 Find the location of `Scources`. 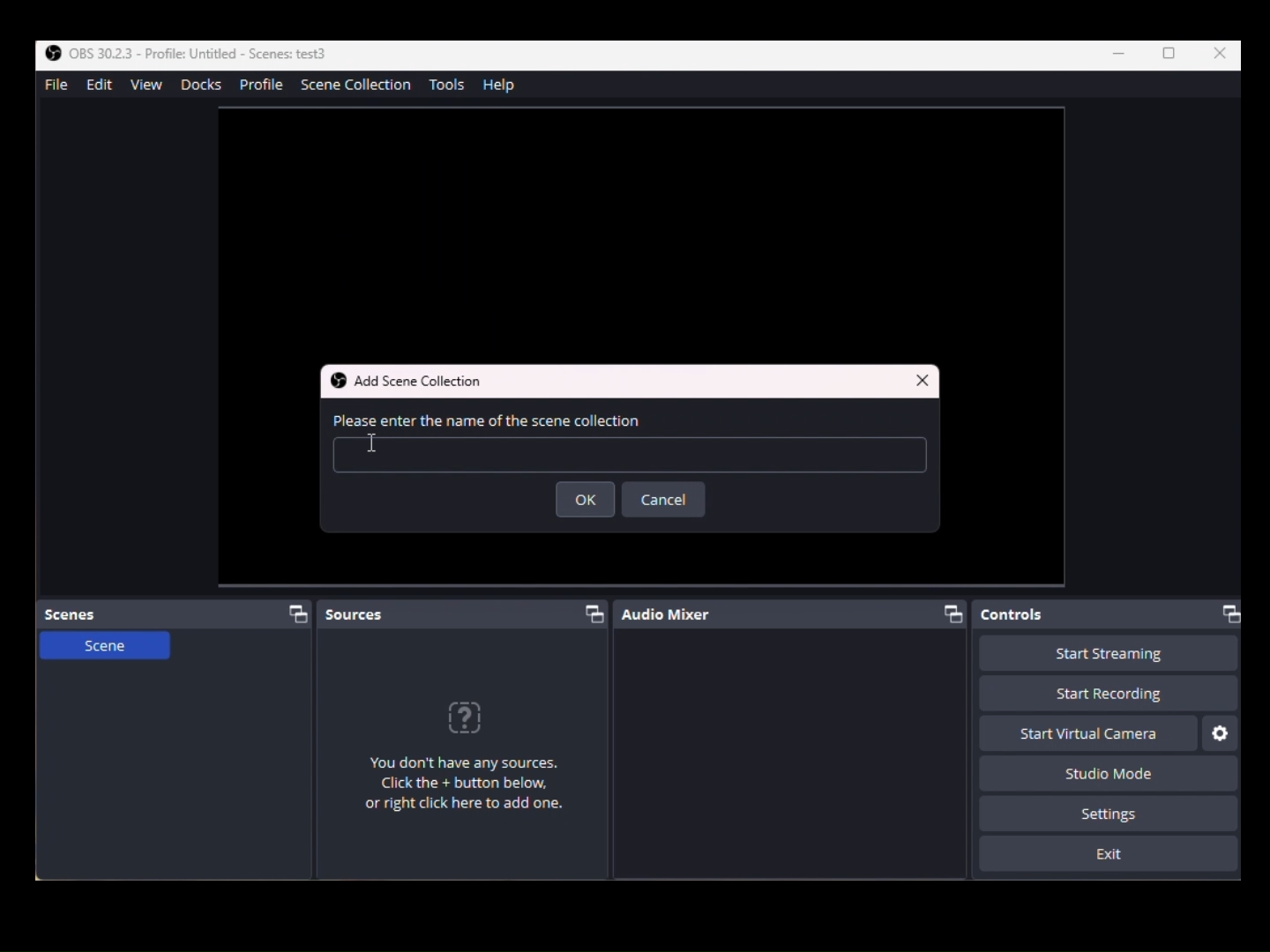

Scources is located at coordinates (465, 612).